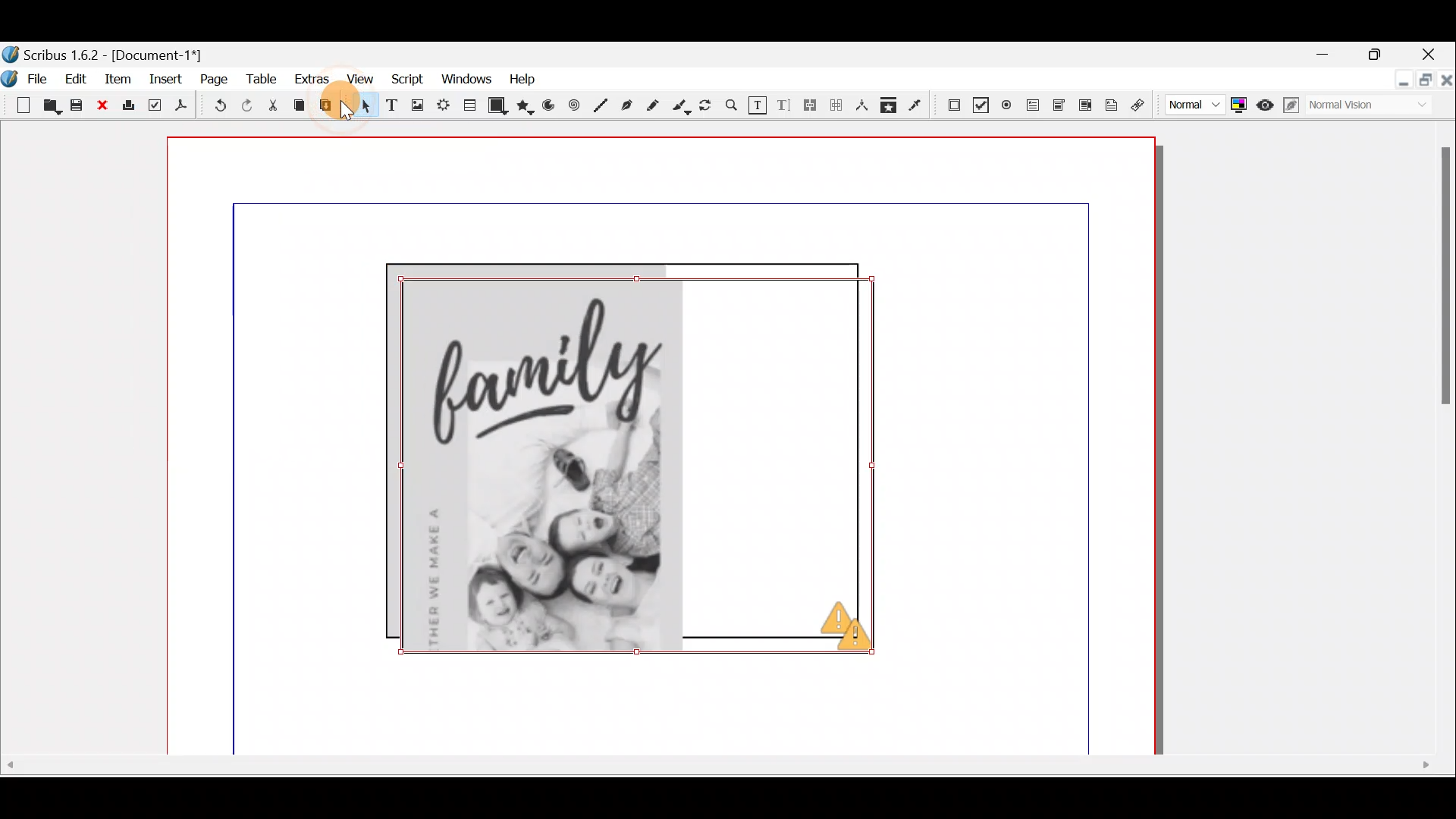  What do you see at coordinates (277, 105) in the screenshot?
I see `Cut` at bounding box center [277, 105].